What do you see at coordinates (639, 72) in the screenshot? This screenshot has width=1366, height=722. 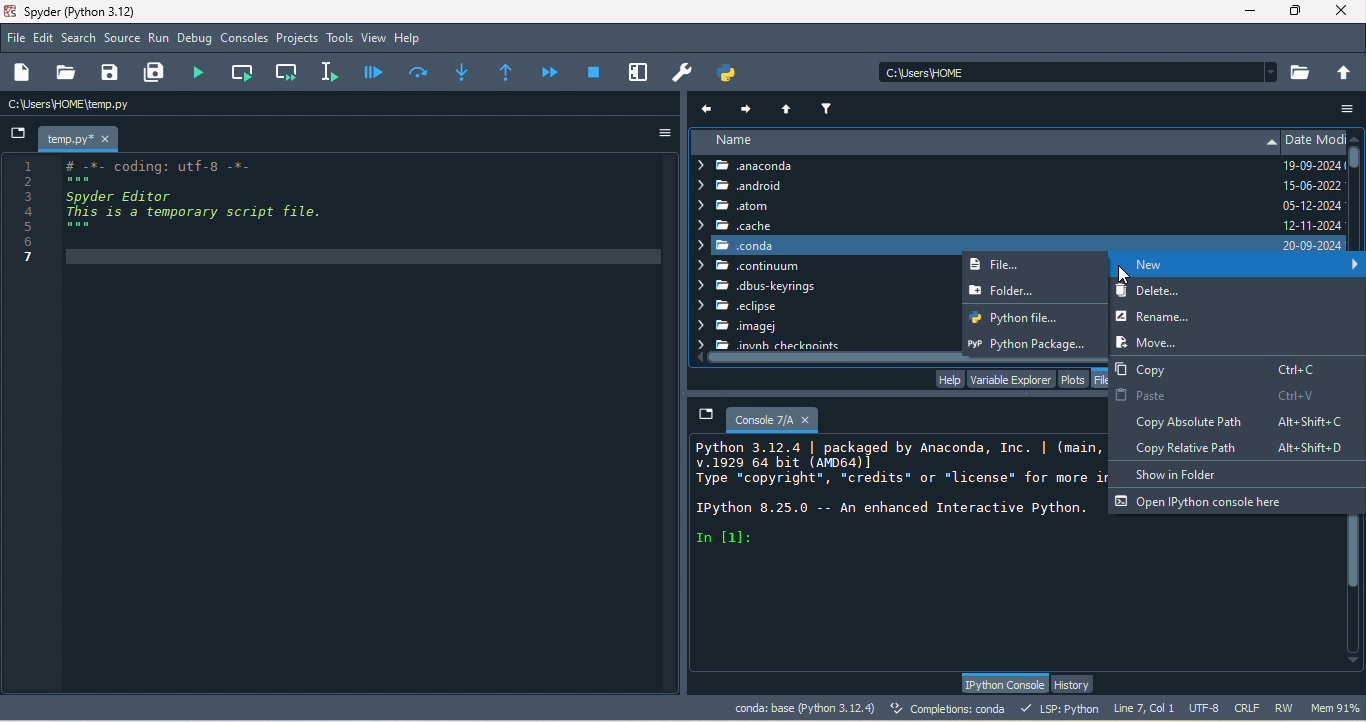 I see `maximize current pane` at bounding box center [639, 72].